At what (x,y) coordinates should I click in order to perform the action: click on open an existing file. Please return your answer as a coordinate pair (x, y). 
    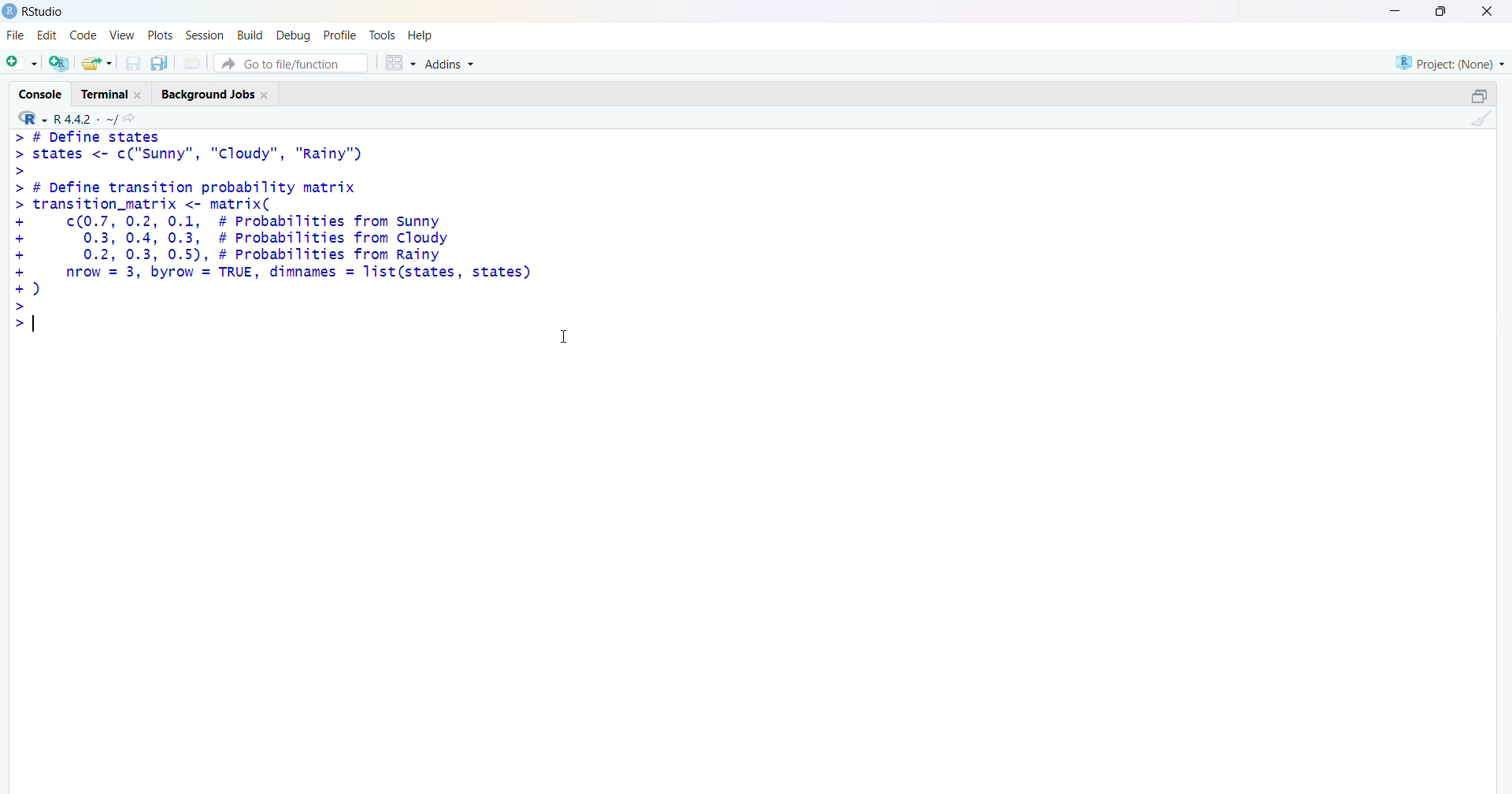
    Looking at the image, I should click on (97, 62).